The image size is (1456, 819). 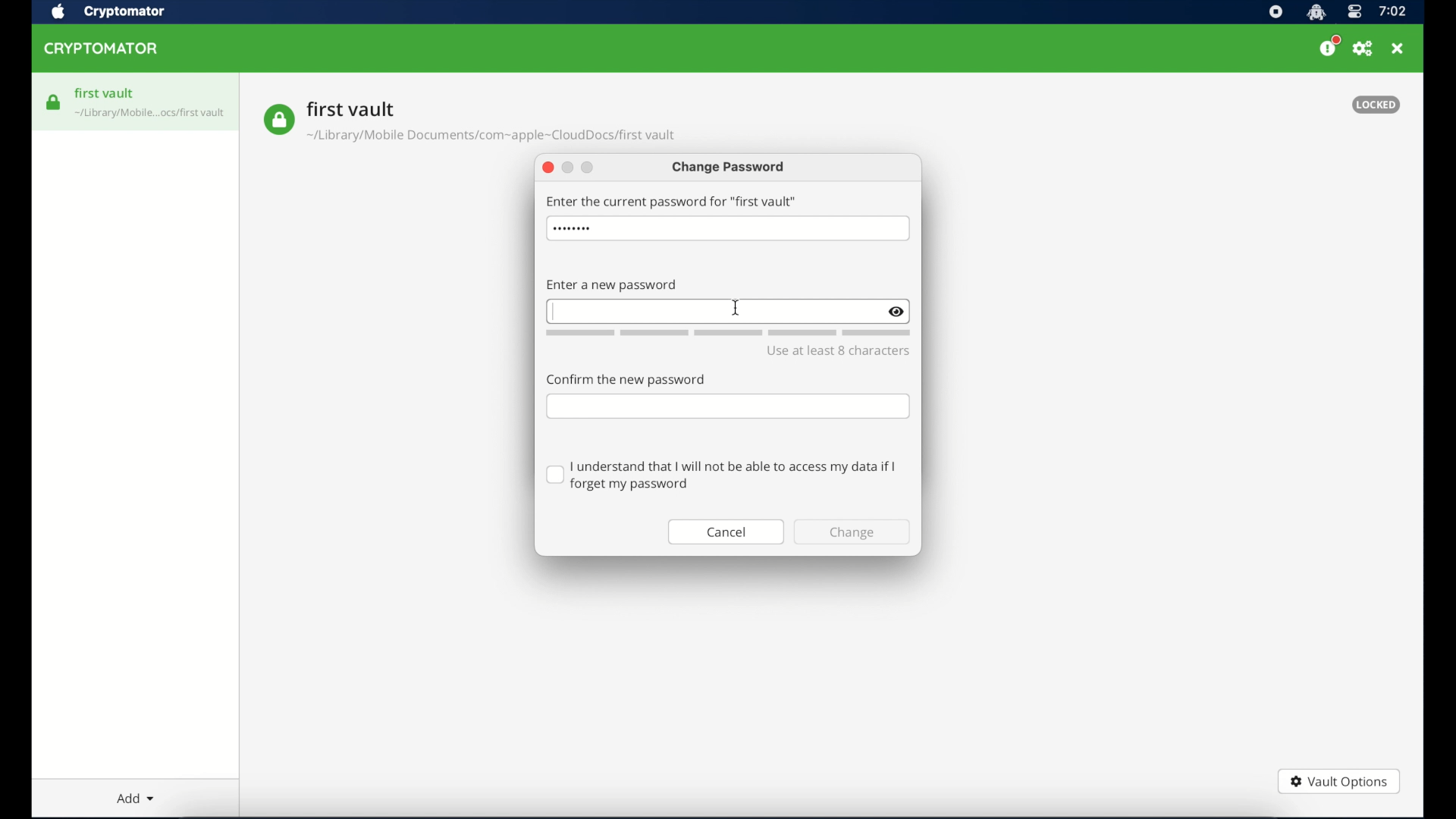 What do you see at coordinates (671, 201) in the screenshot?
I see `enter the current password for first vault` at bounding box center [671, 201].